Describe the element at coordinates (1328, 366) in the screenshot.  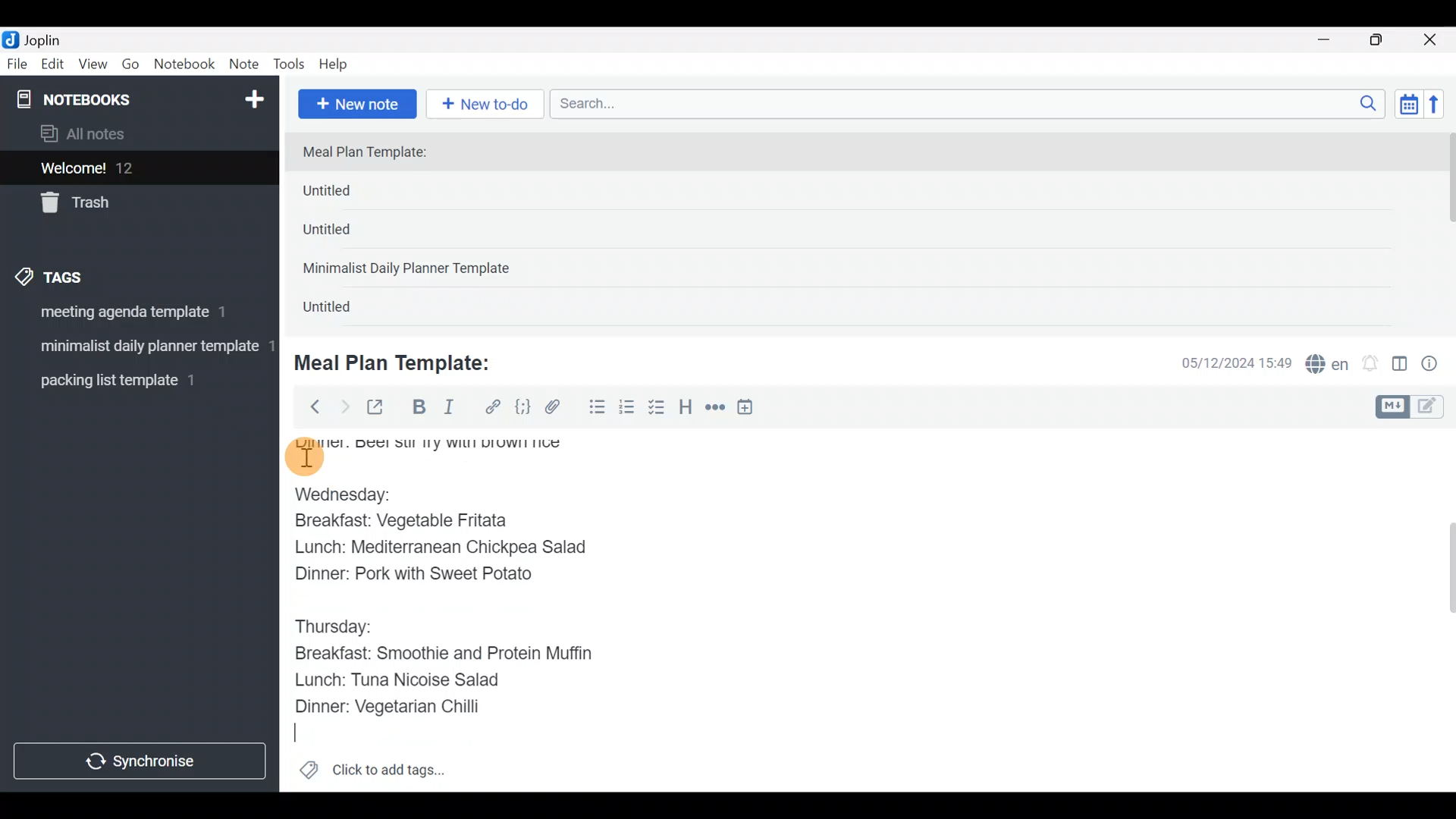
I see `Spelling` at that location.